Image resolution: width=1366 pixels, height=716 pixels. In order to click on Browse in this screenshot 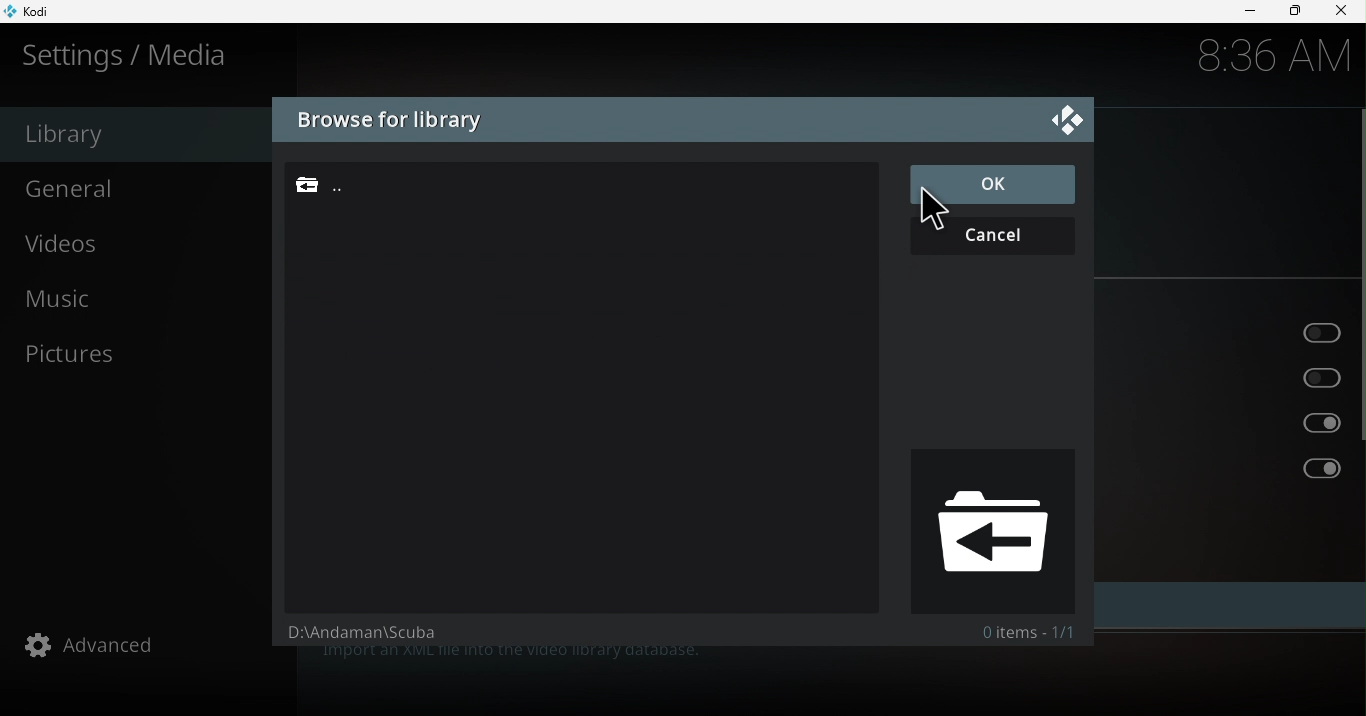, I will do `click(564, 184)`.